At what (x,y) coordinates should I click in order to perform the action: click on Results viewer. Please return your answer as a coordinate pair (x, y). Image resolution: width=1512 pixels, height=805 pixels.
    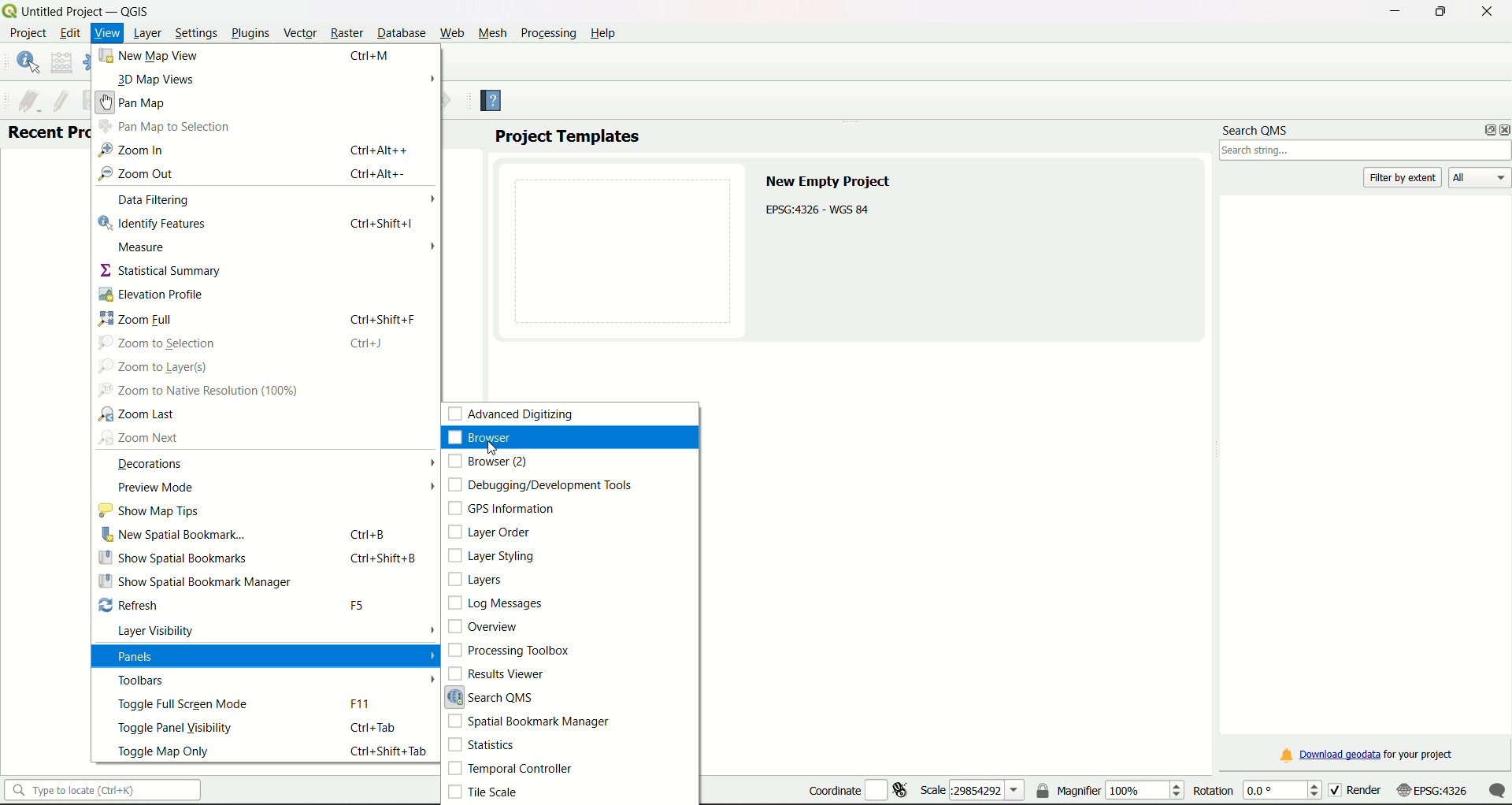
    Looking at the image, I should click on (497, 674).